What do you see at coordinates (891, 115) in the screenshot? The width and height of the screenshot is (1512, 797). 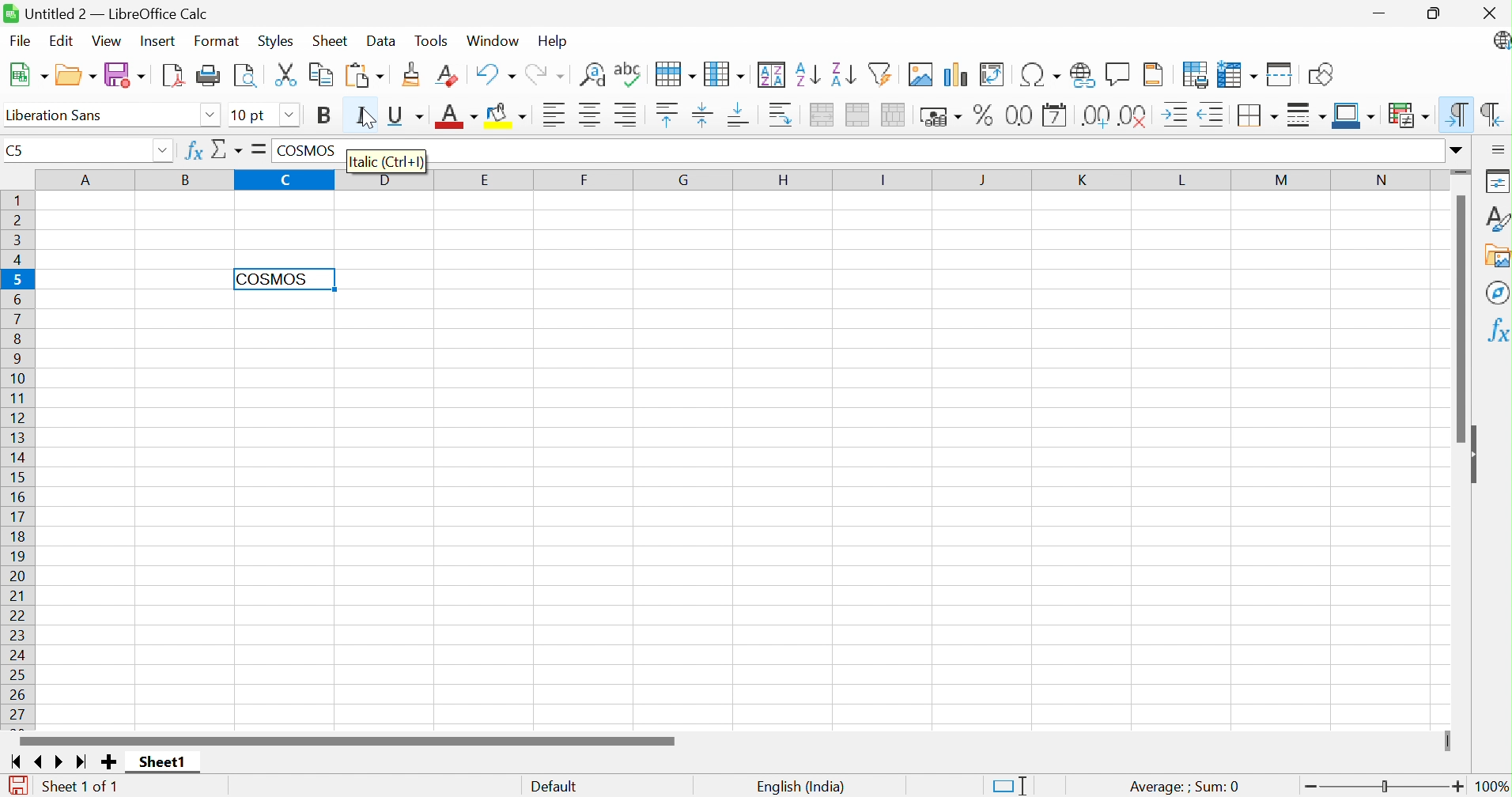 I see `Unmerge cells` at bounding box center [891, 115].